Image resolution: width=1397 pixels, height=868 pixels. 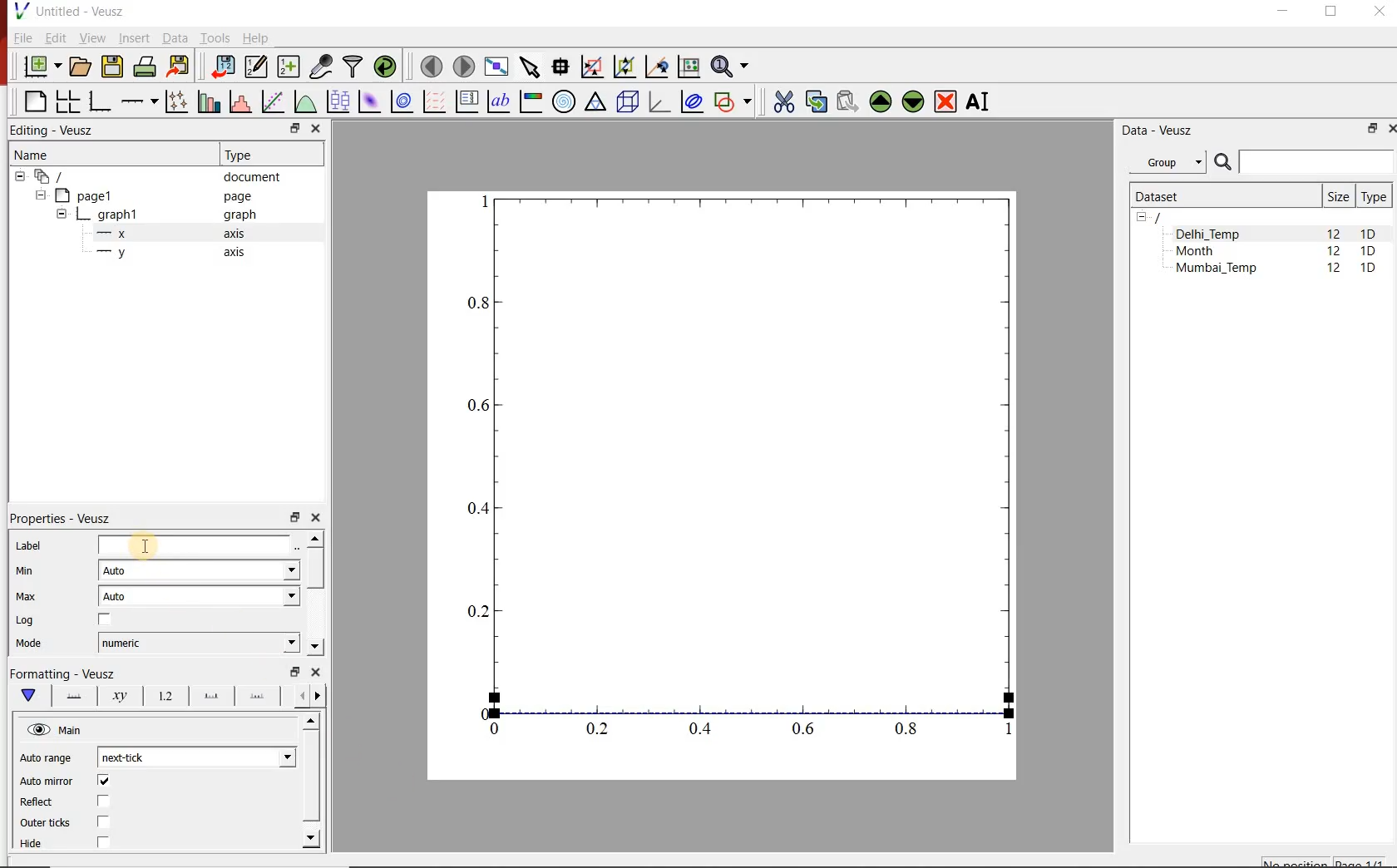 I want to click on click to reset graph axes, so click(x=689, y=67).